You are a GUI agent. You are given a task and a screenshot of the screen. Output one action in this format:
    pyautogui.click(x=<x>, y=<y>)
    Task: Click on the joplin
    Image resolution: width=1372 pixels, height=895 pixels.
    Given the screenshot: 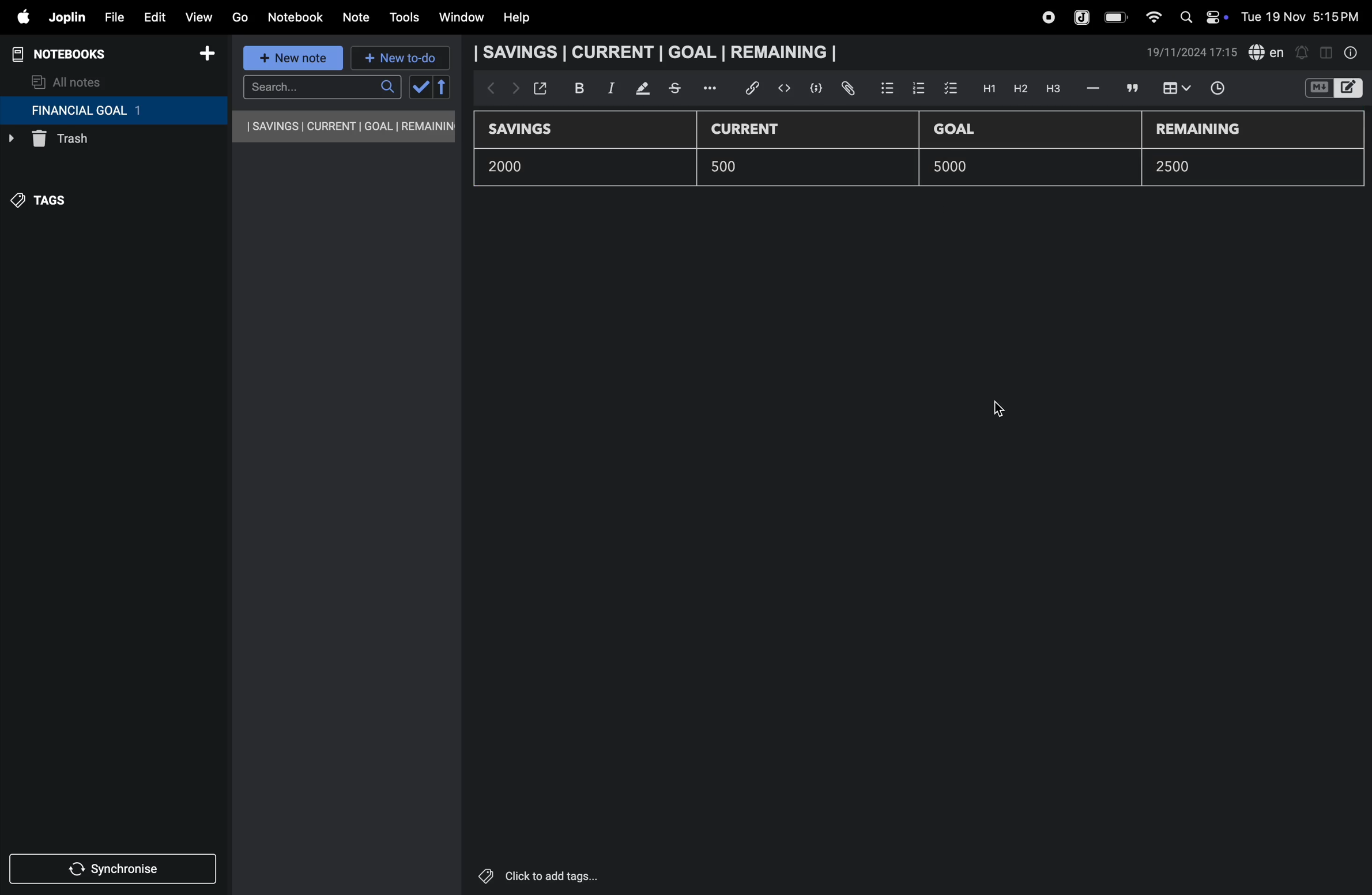 What is the action you would take?
    pyautogui.click(x=1083, y=16)
    